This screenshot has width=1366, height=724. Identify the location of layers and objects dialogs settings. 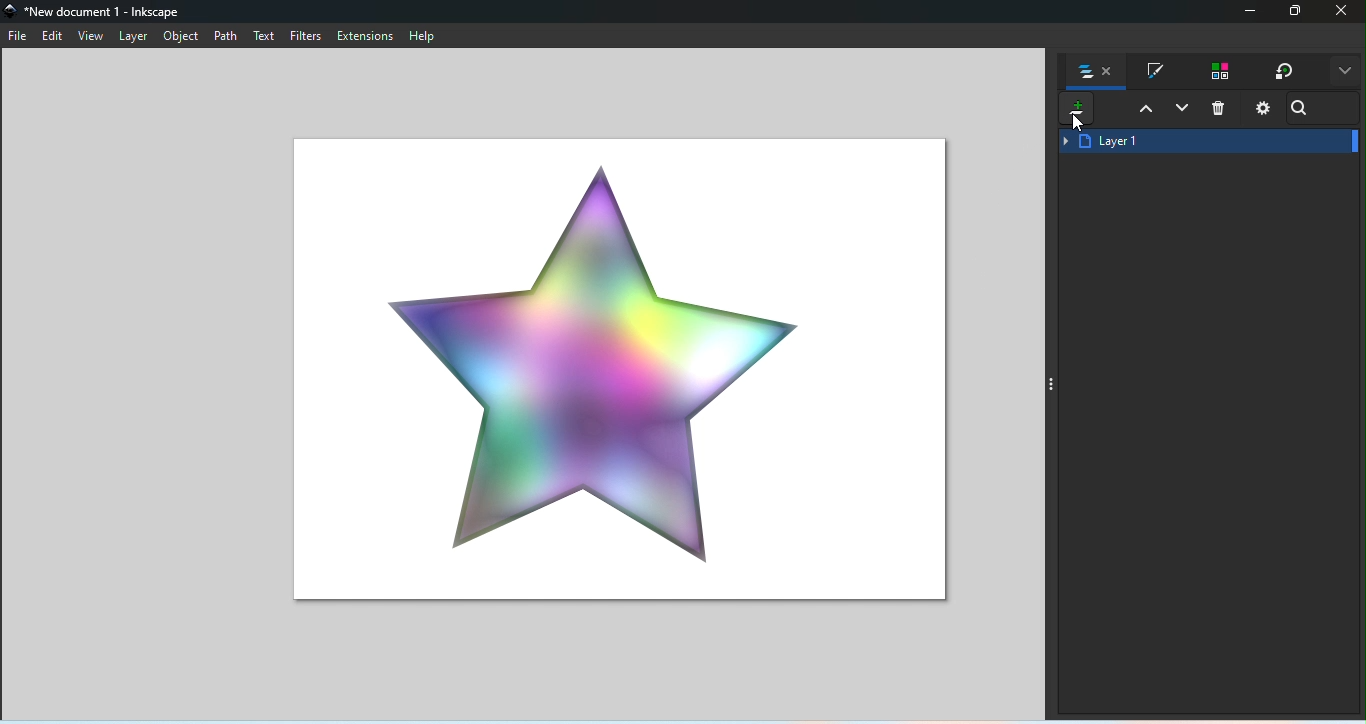
(1263, 111).